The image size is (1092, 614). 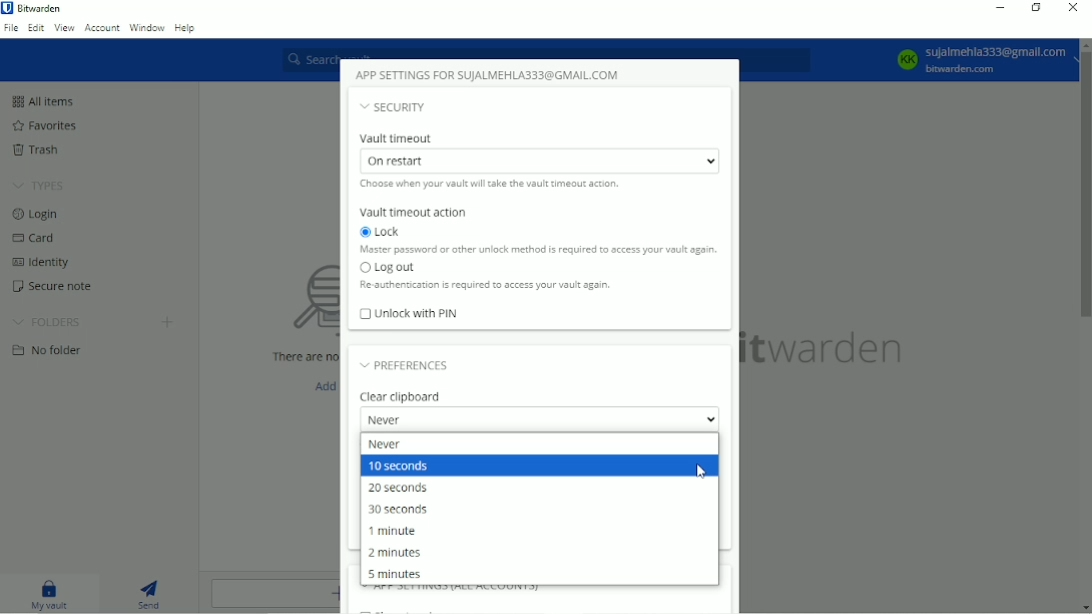 I want to click on Never, so click(x=388, y=444).